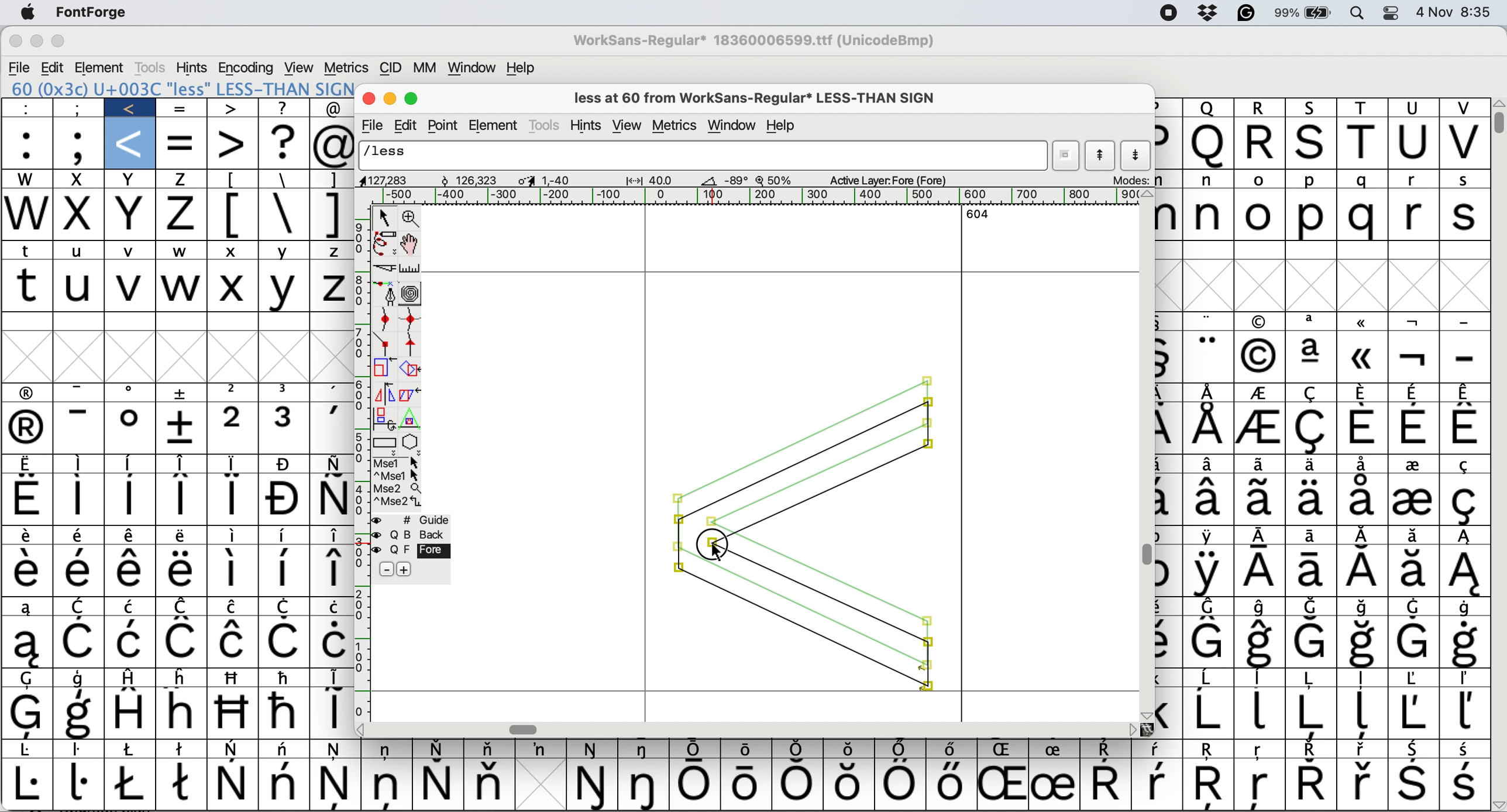  Describe the element at coordinates (29, 644) in the screenshot. I see `Symbol` at that location.